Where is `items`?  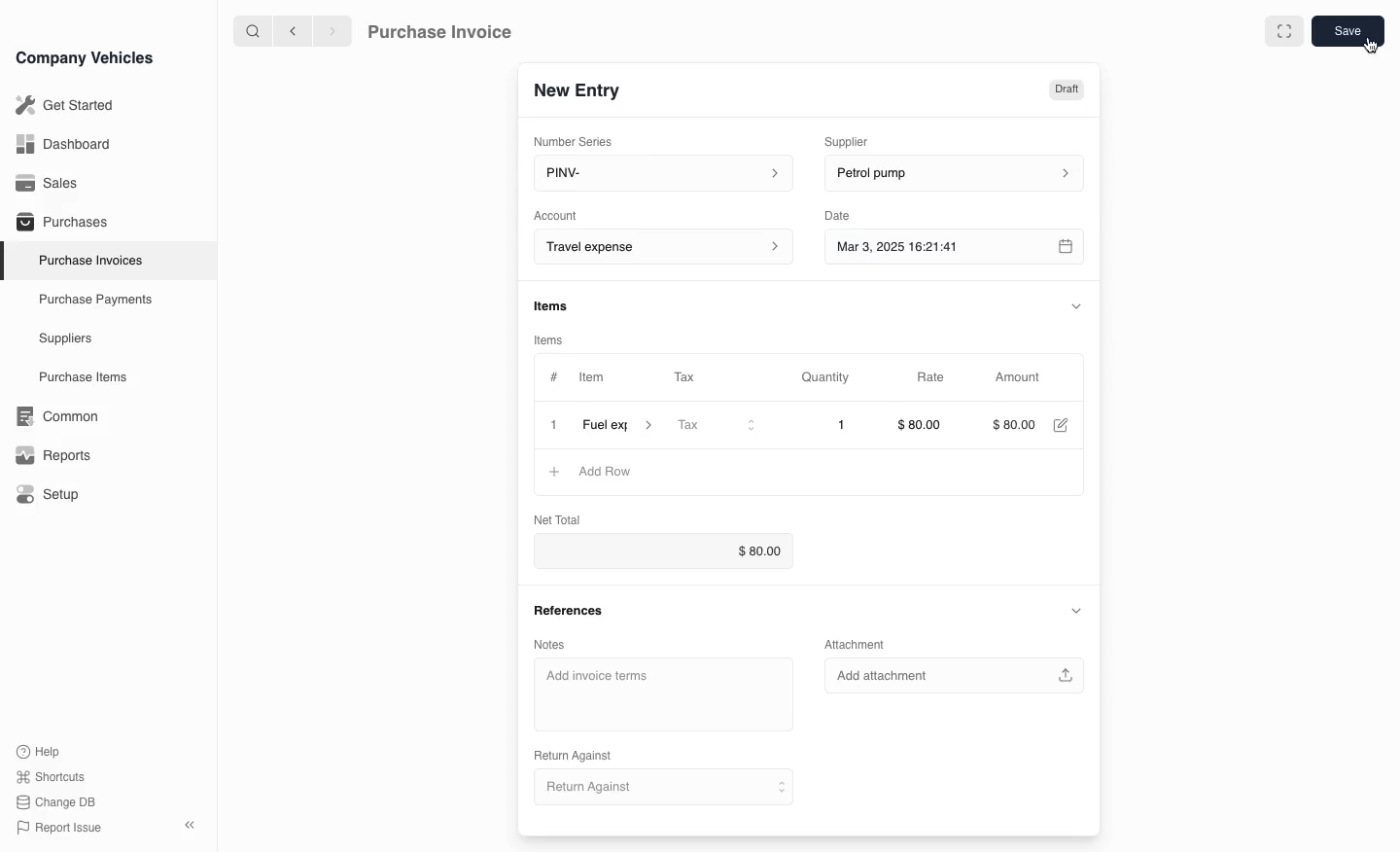
items is located at coordinates (552, 339).